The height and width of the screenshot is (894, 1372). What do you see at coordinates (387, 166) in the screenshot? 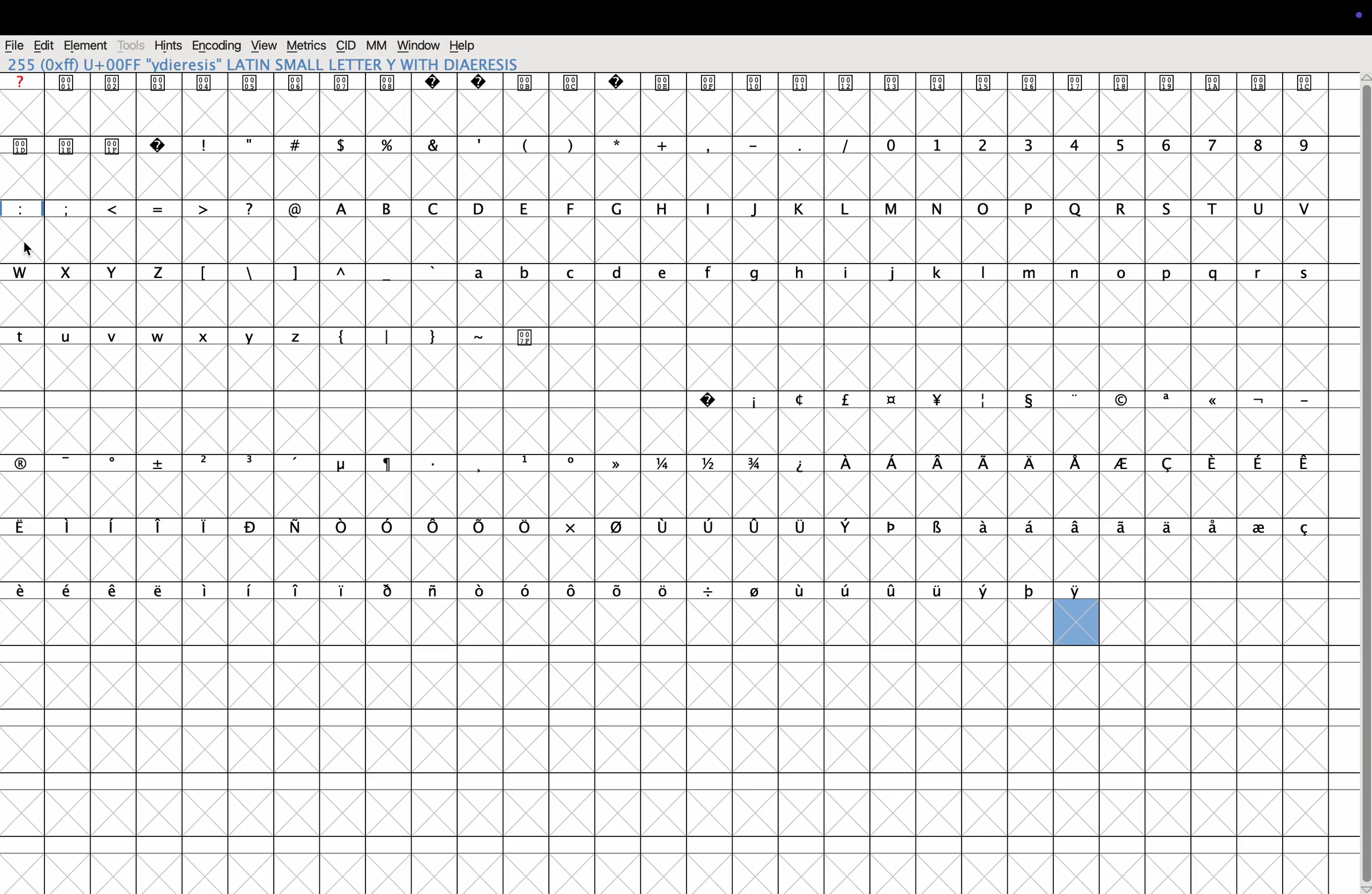
I see `%` at bounding box center [387, 166].